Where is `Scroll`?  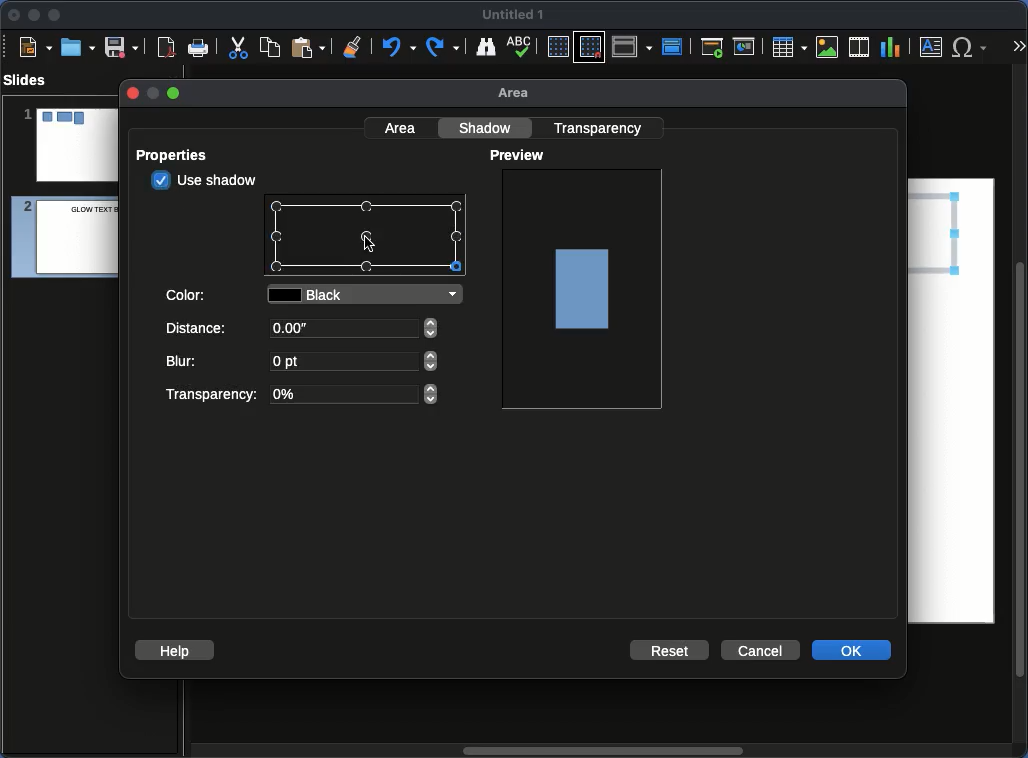
Scroll is located at coordinates (1022, 413).